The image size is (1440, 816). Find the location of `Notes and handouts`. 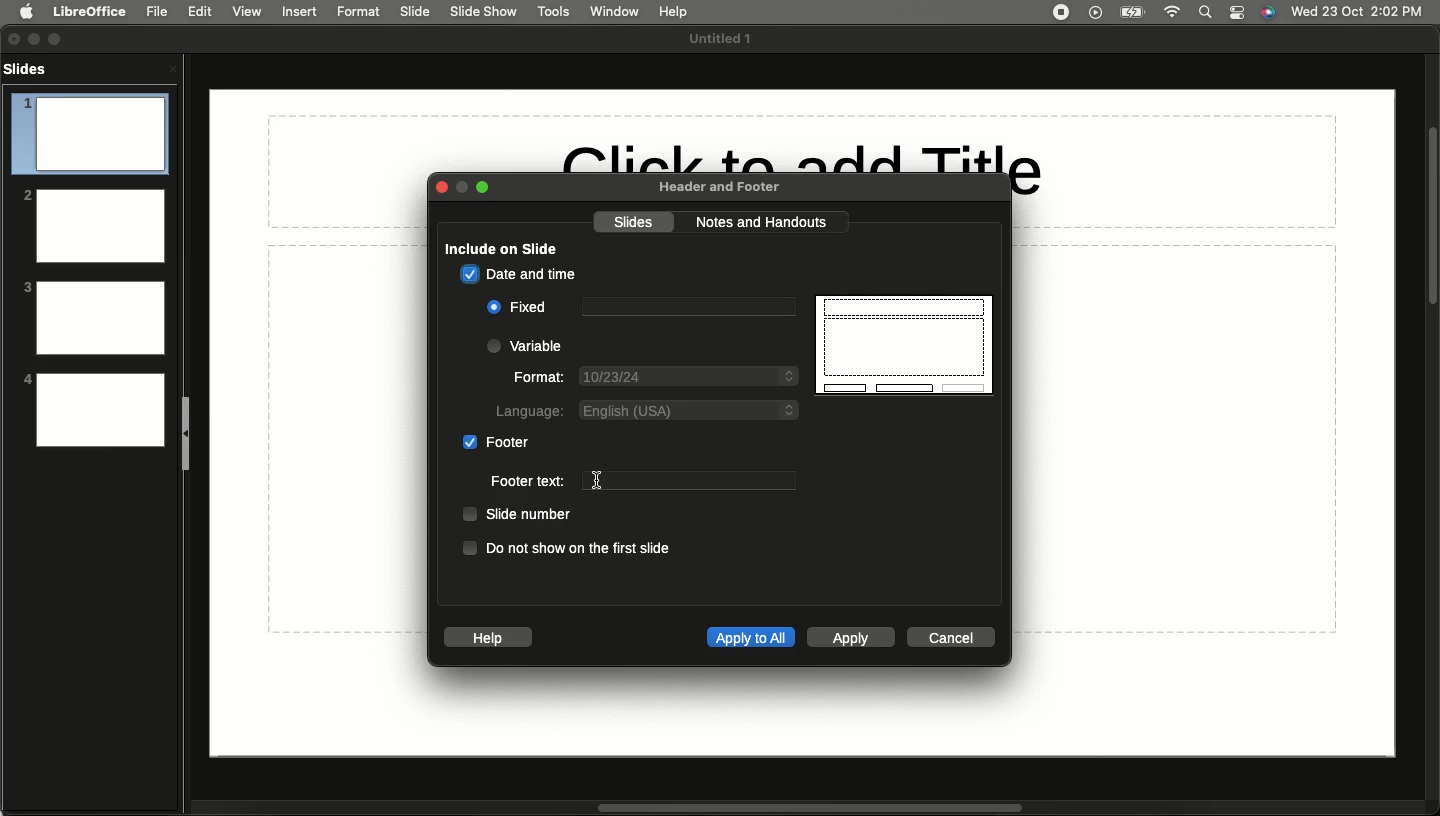

Notes and handouts is located at coordinates (763, 223).